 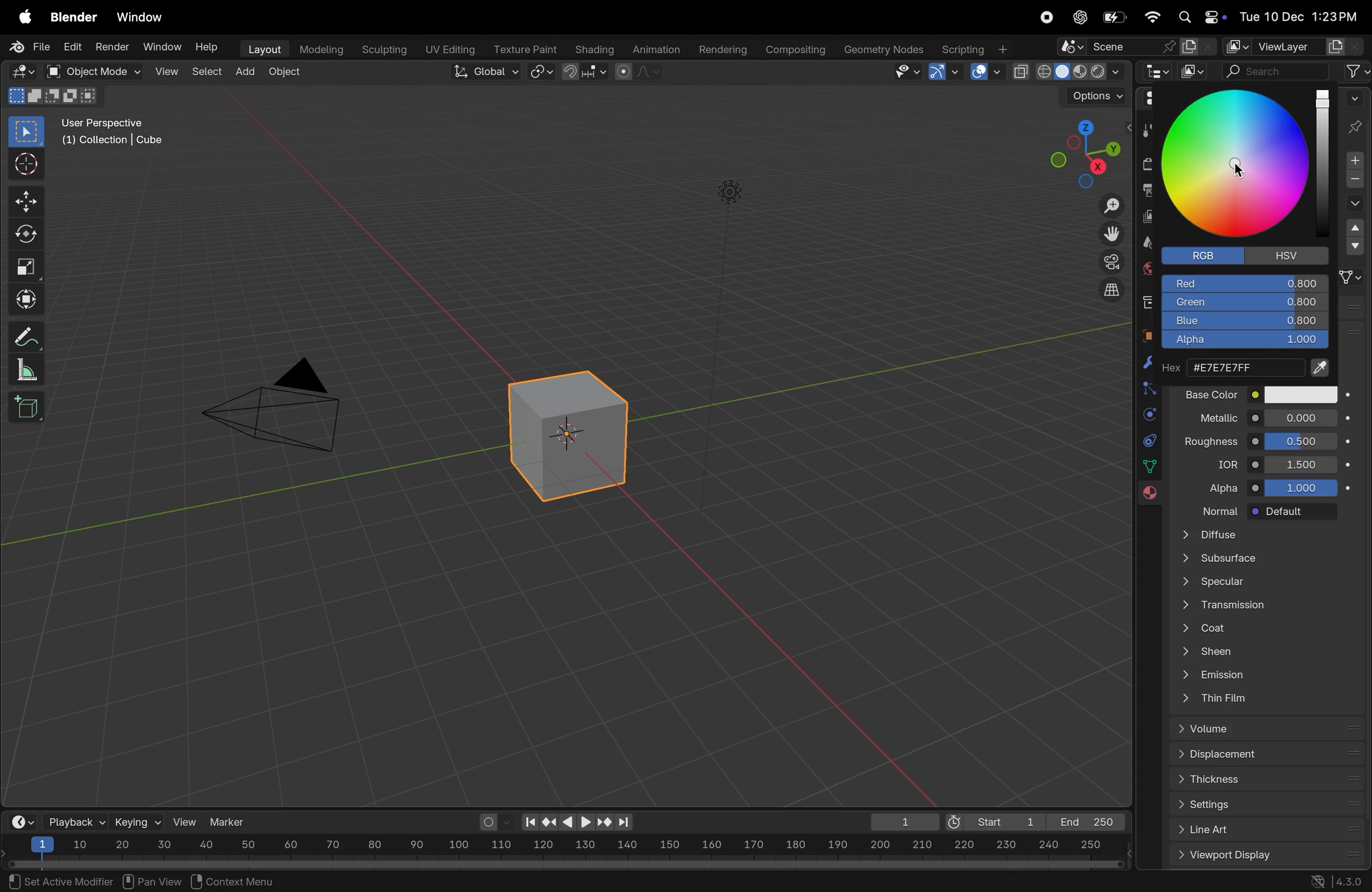 What do you see at coordinates (1269, 856) in the screenshot?
I see `view port display` at bounding box center [1269, 856].